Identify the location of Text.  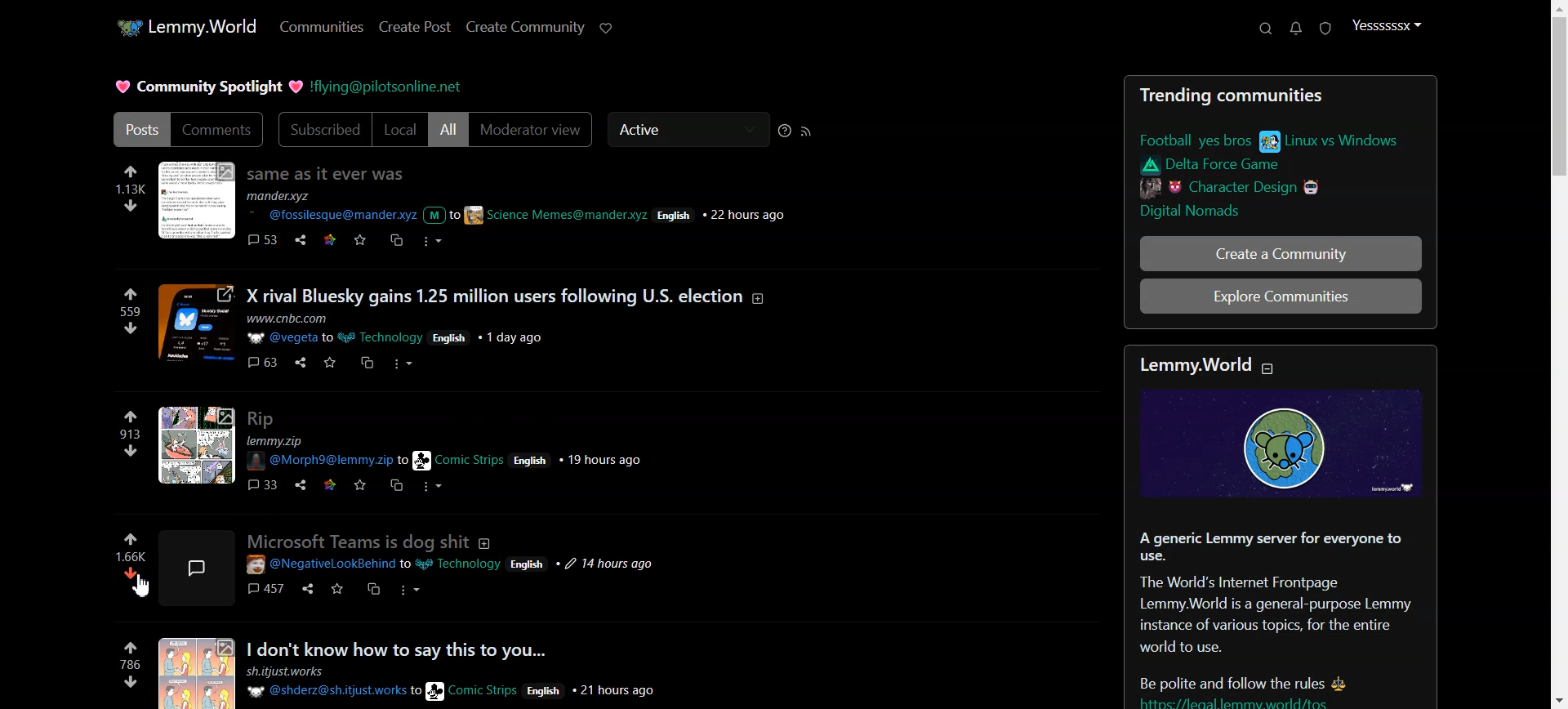
(210, 87).